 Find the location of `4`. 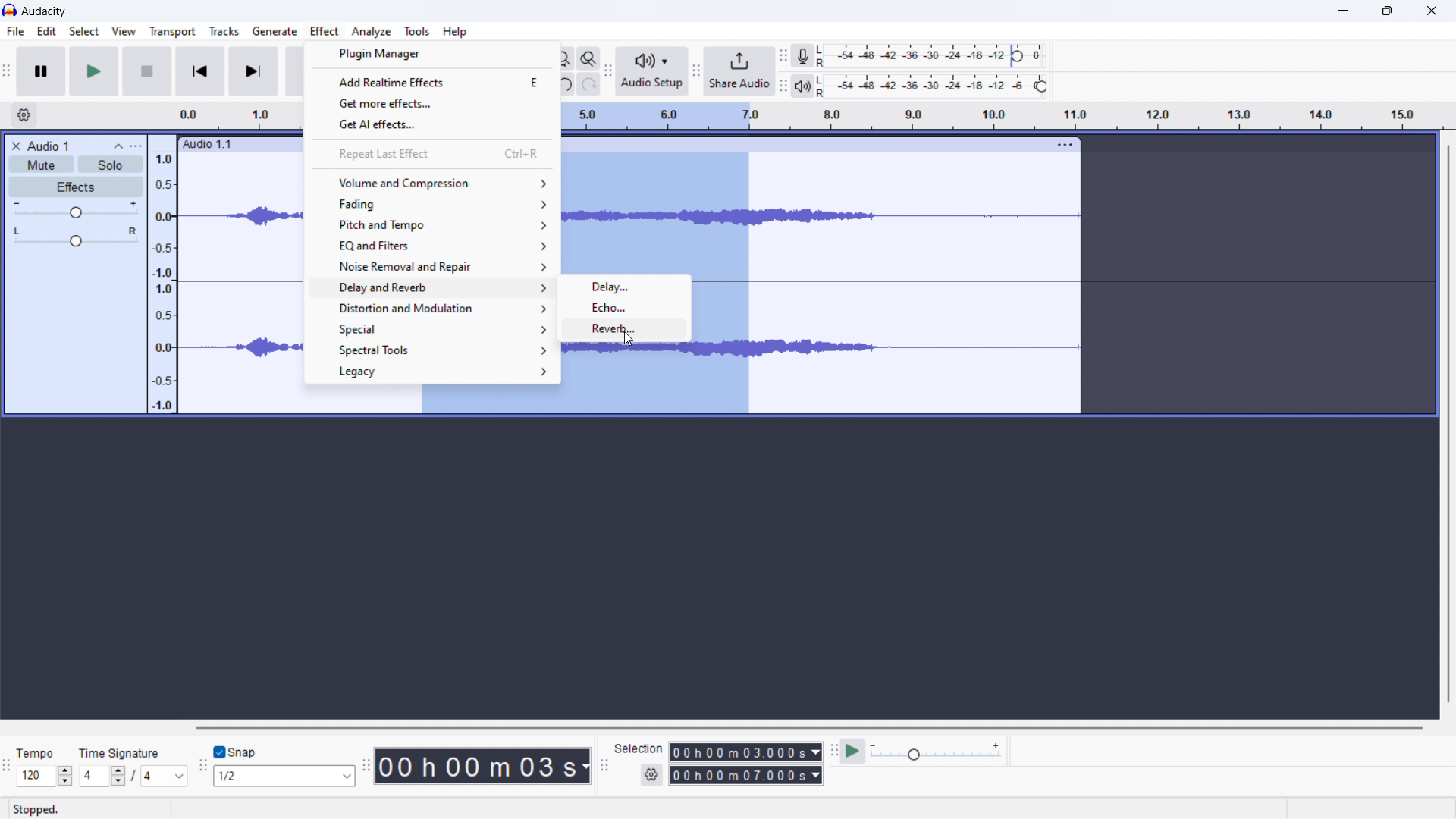

4 is located at coordinates (100, 777).